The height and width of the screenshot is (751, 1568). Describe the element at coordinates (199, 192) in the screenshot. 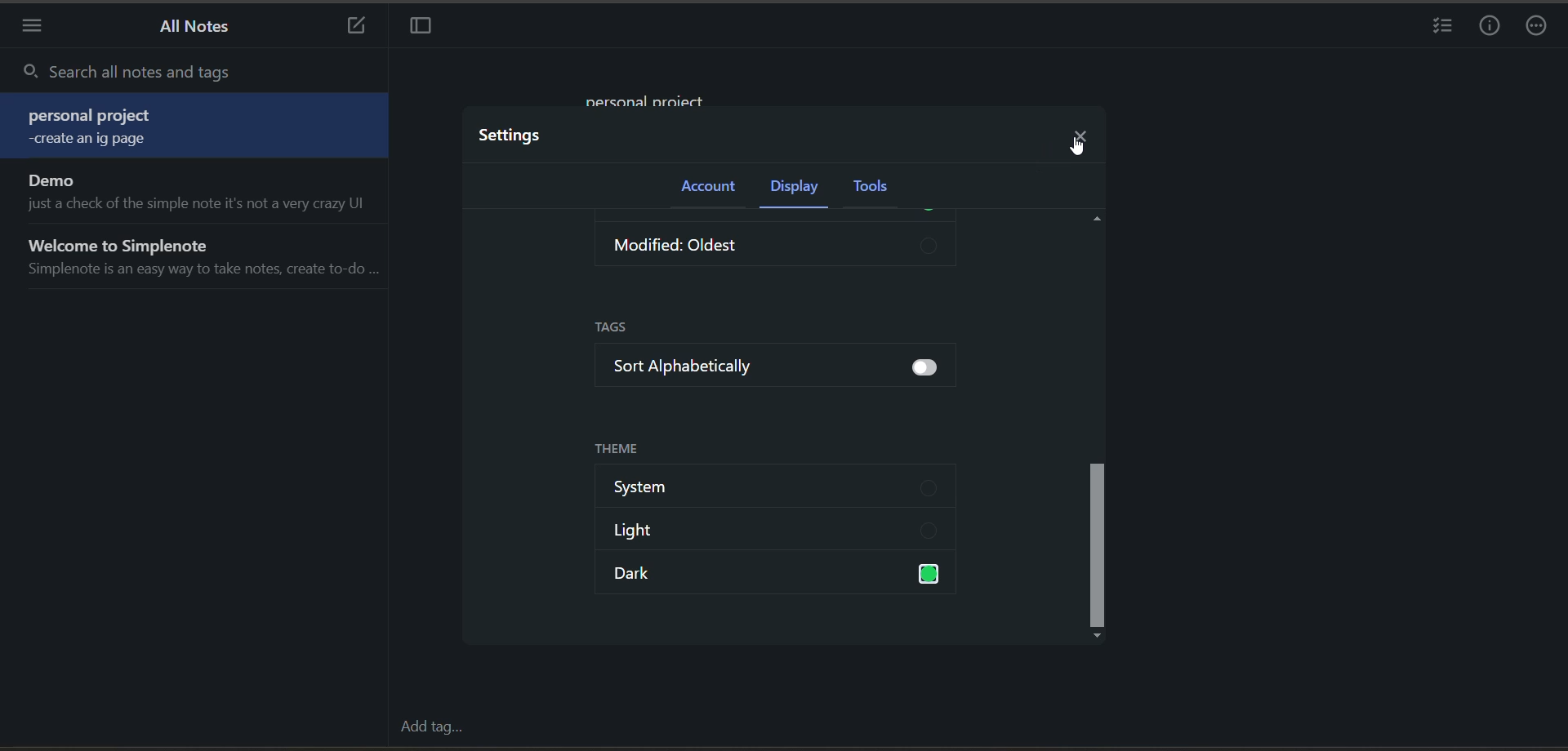

I see `note 2` at that location.